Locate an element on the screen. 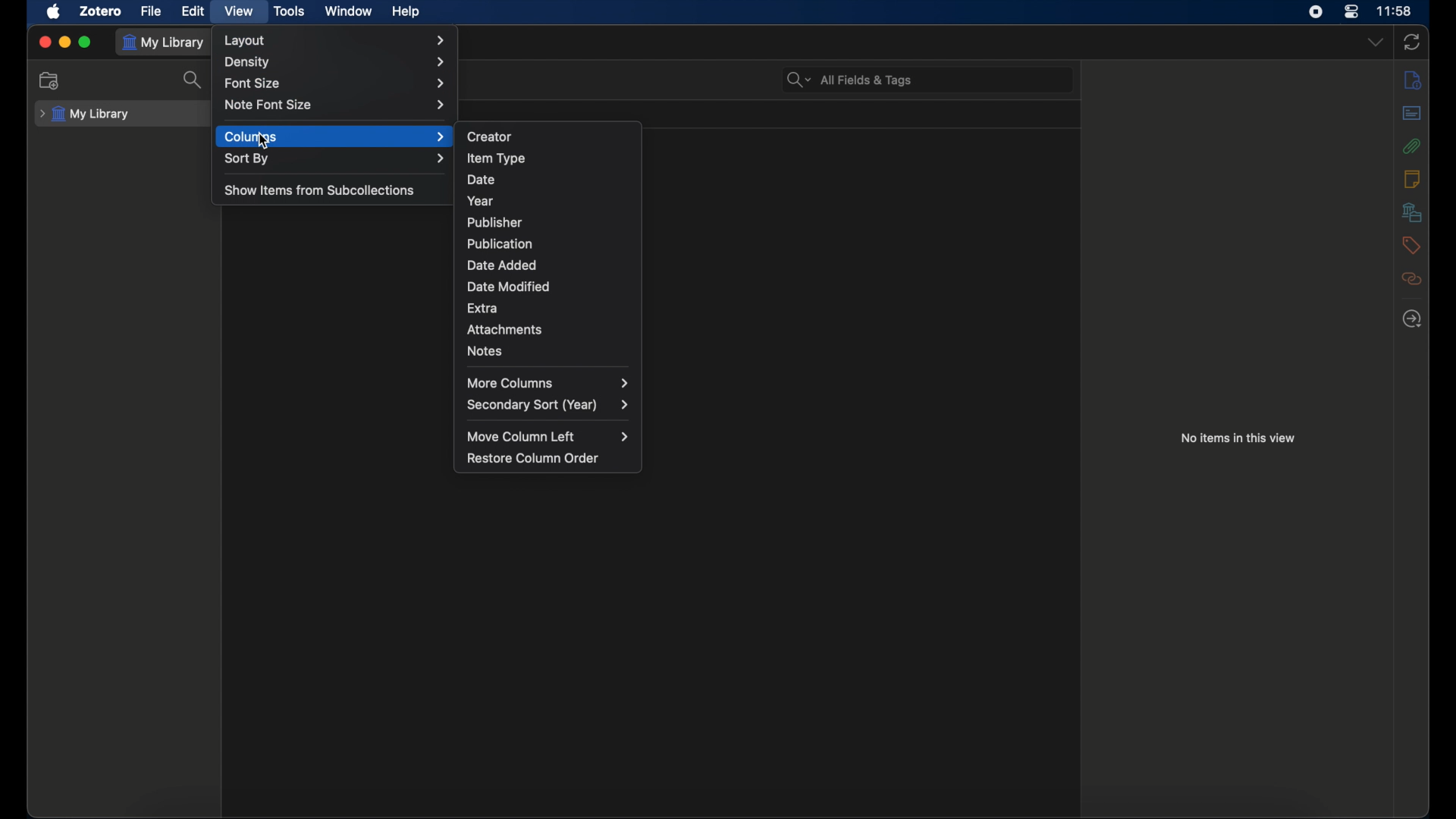  date is located at coordinates (479, 180).